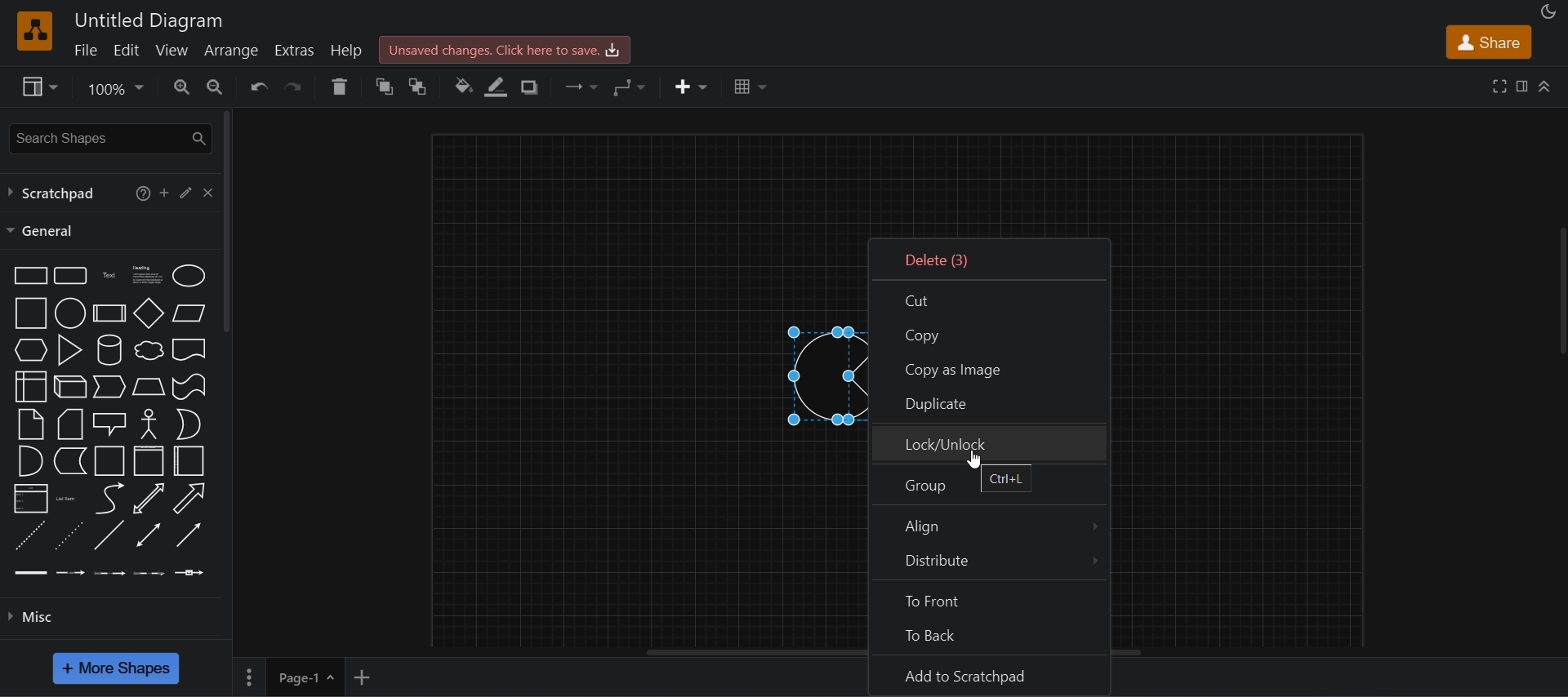  What do you see at coordinates (108, 388) in the screenshot?
I see `step` at bounding box center [108, 388].